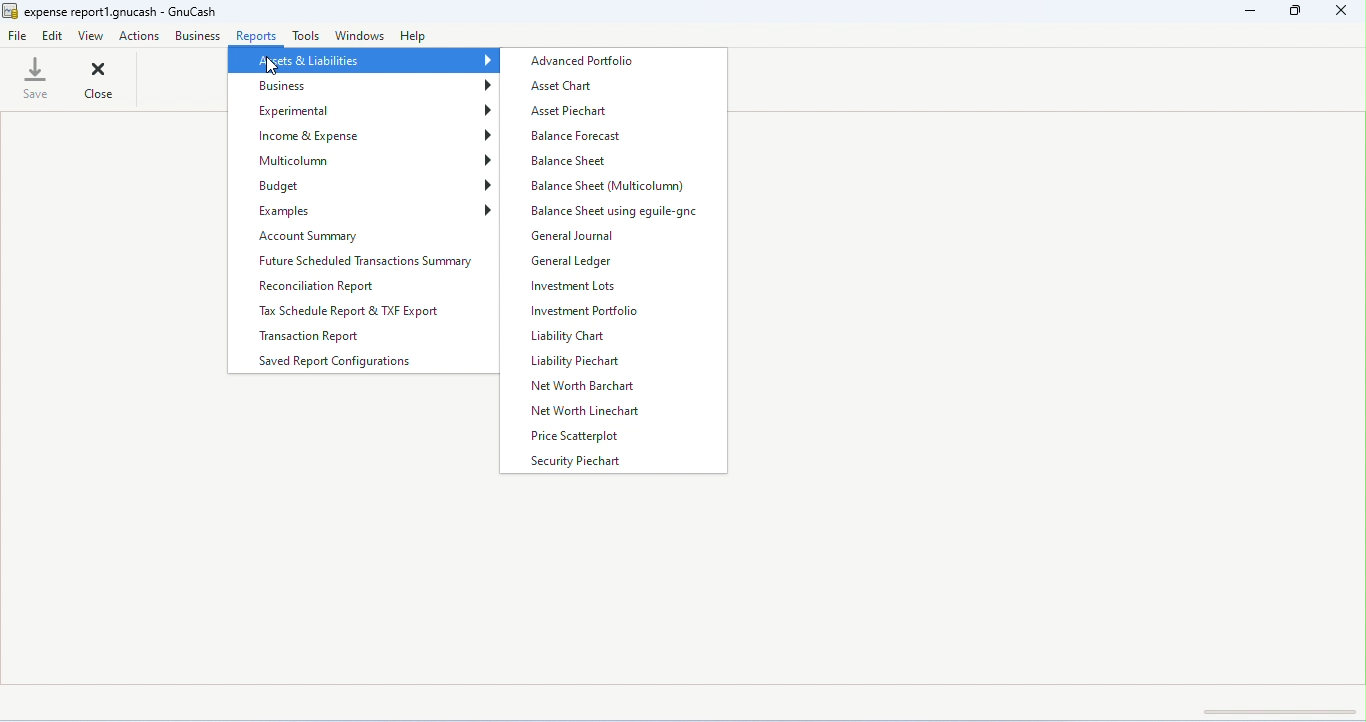 Image resolution: width=1366 pixels, height=722 pixels. I want to click on tool, so click(306, 36).